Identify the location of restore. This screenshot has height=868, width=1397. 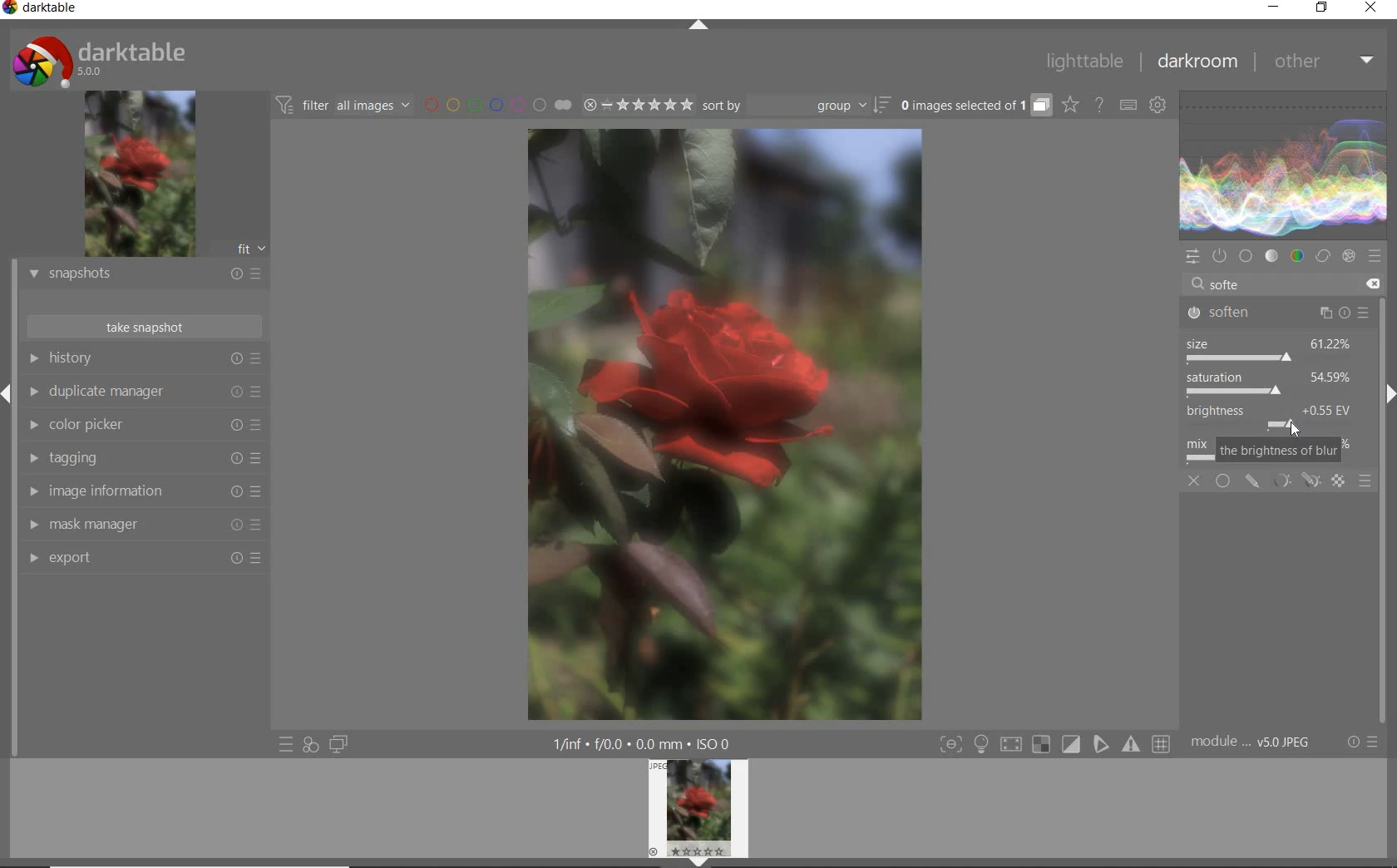
(1324, 10).